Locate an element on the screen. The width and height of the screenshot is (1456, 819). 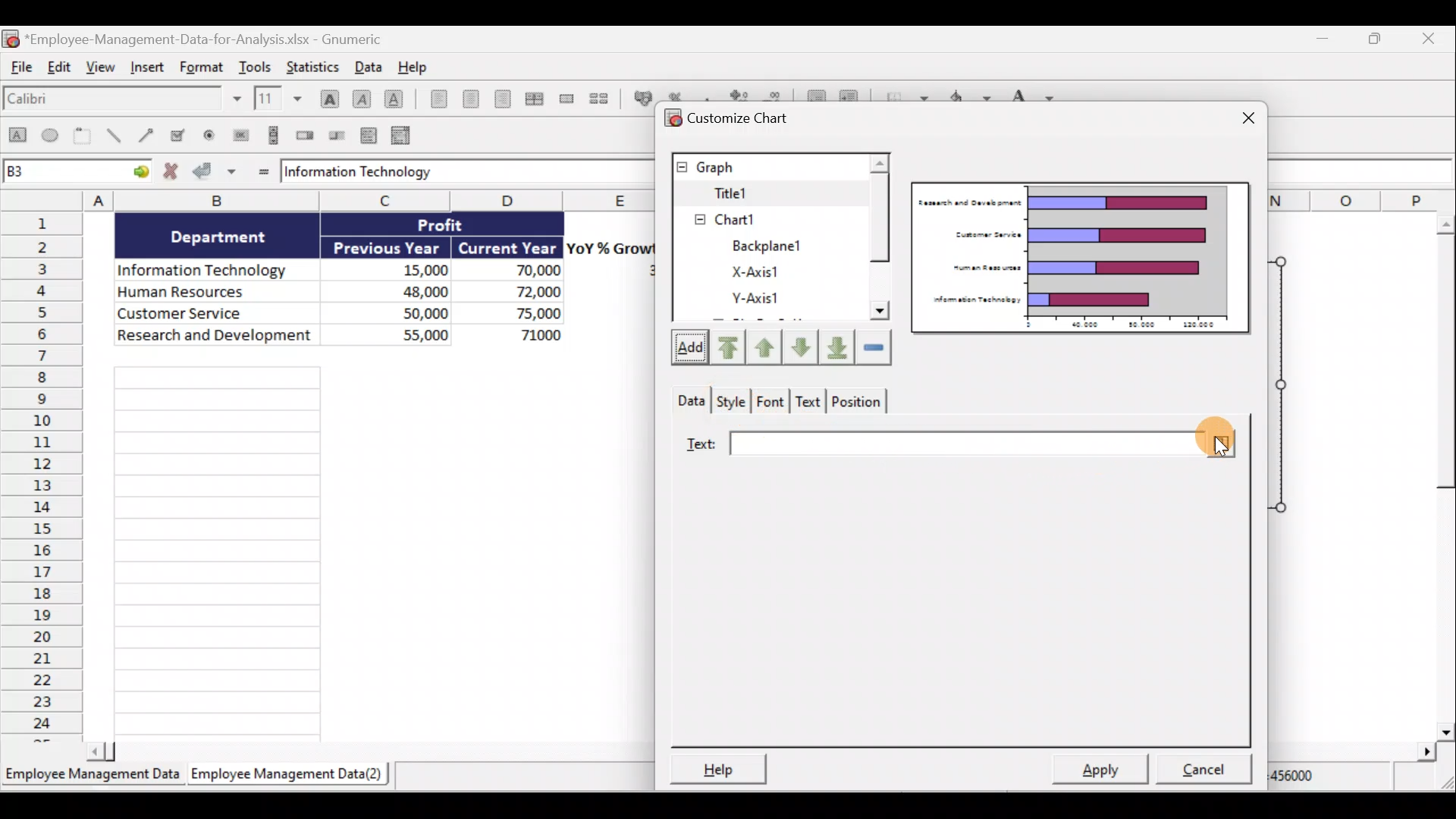
Scroll bar is located at coordinates (363, 752).